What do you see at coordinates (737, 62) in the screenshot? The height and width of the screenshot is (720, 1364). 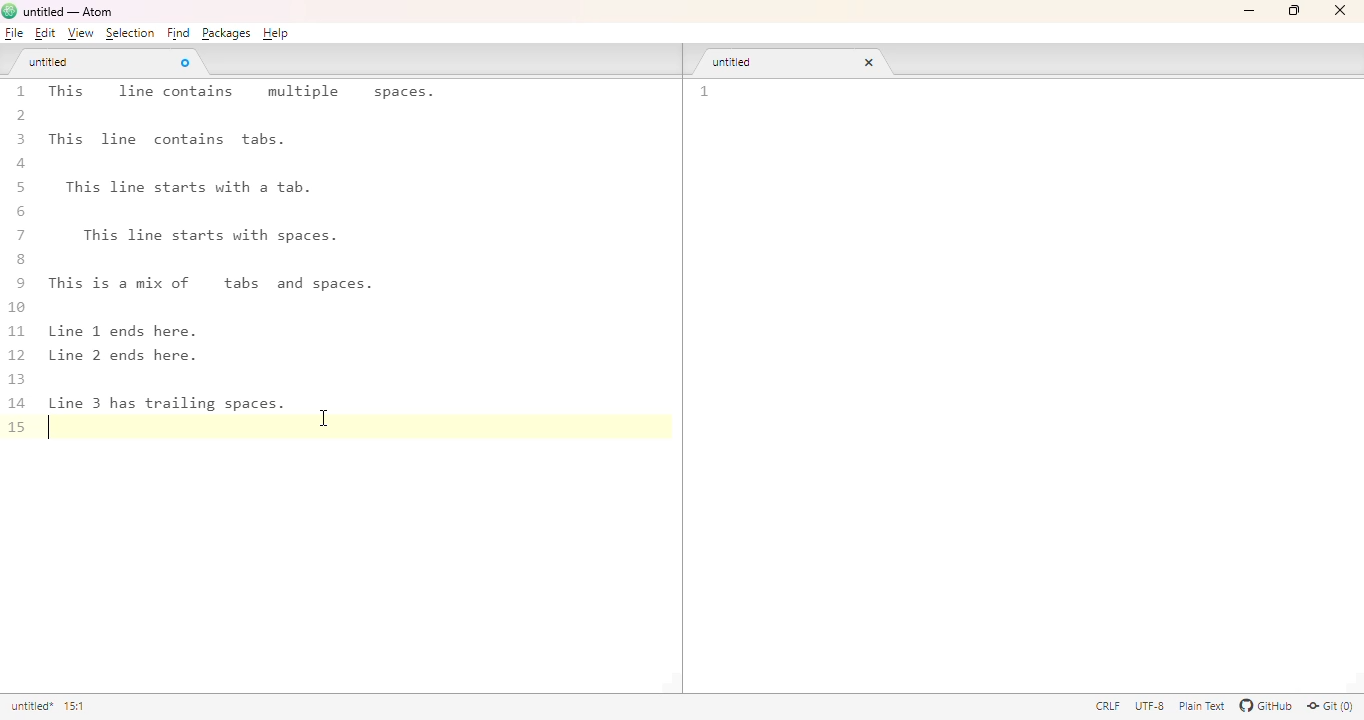 I see `untitled` at bounding box center [737, 62].